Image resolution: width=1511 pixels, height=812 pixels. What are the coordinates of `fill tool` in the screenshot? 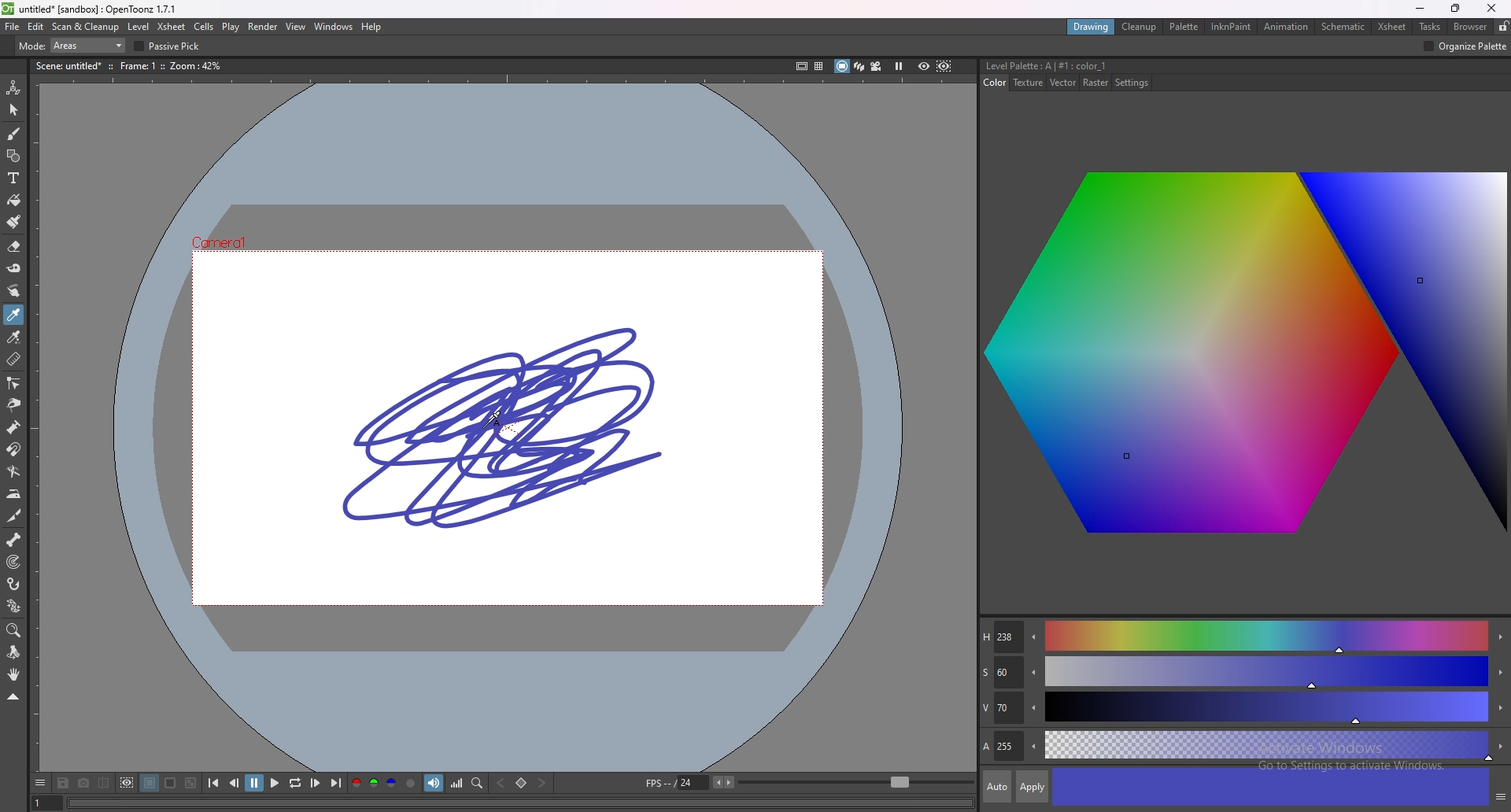 It's located at (14, 200).